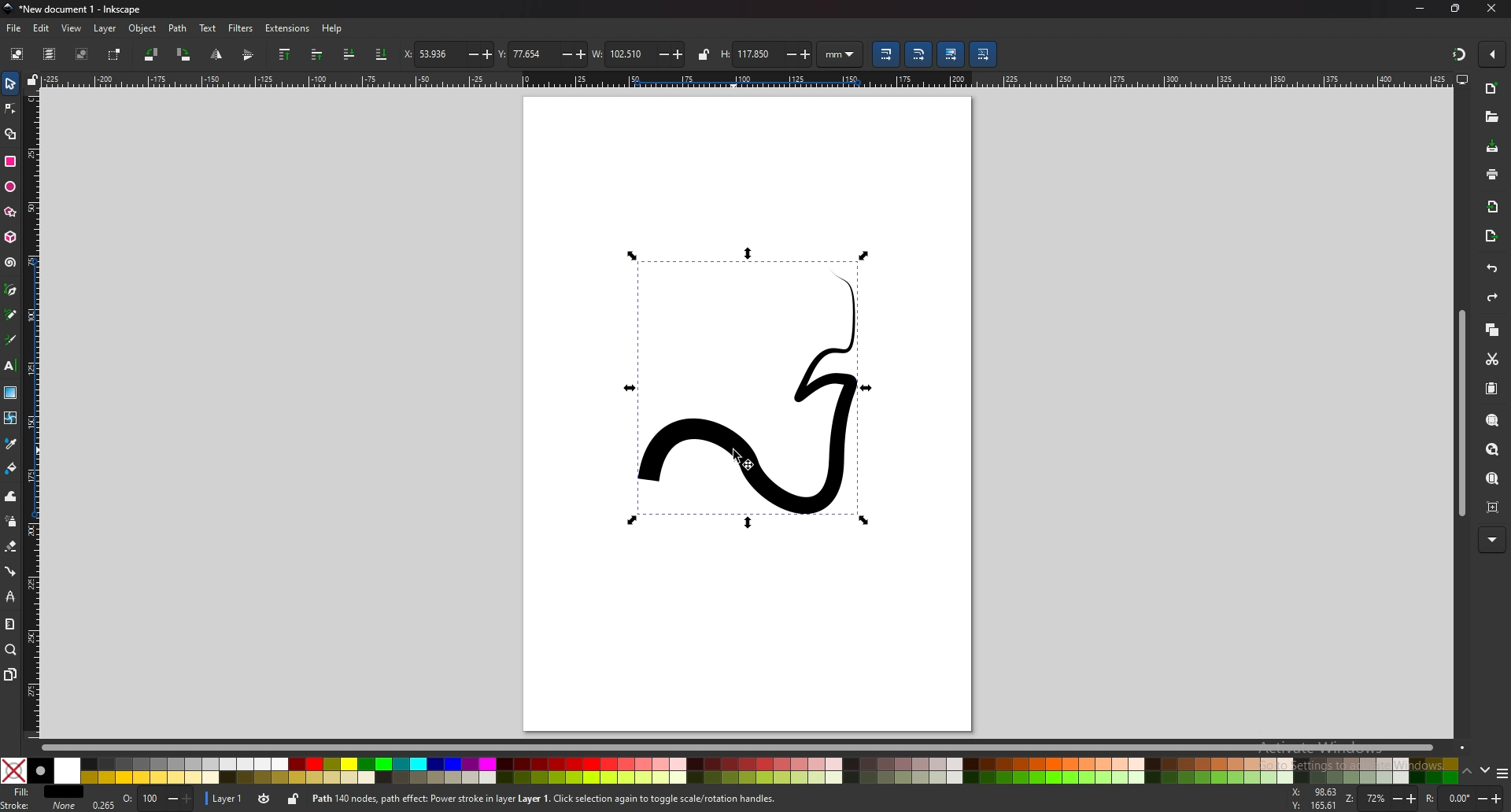 This screenshot has width=1511, height=812. Describe the element at coordinates (12, 134) in the screenshot. I see `shape builder` at that location.